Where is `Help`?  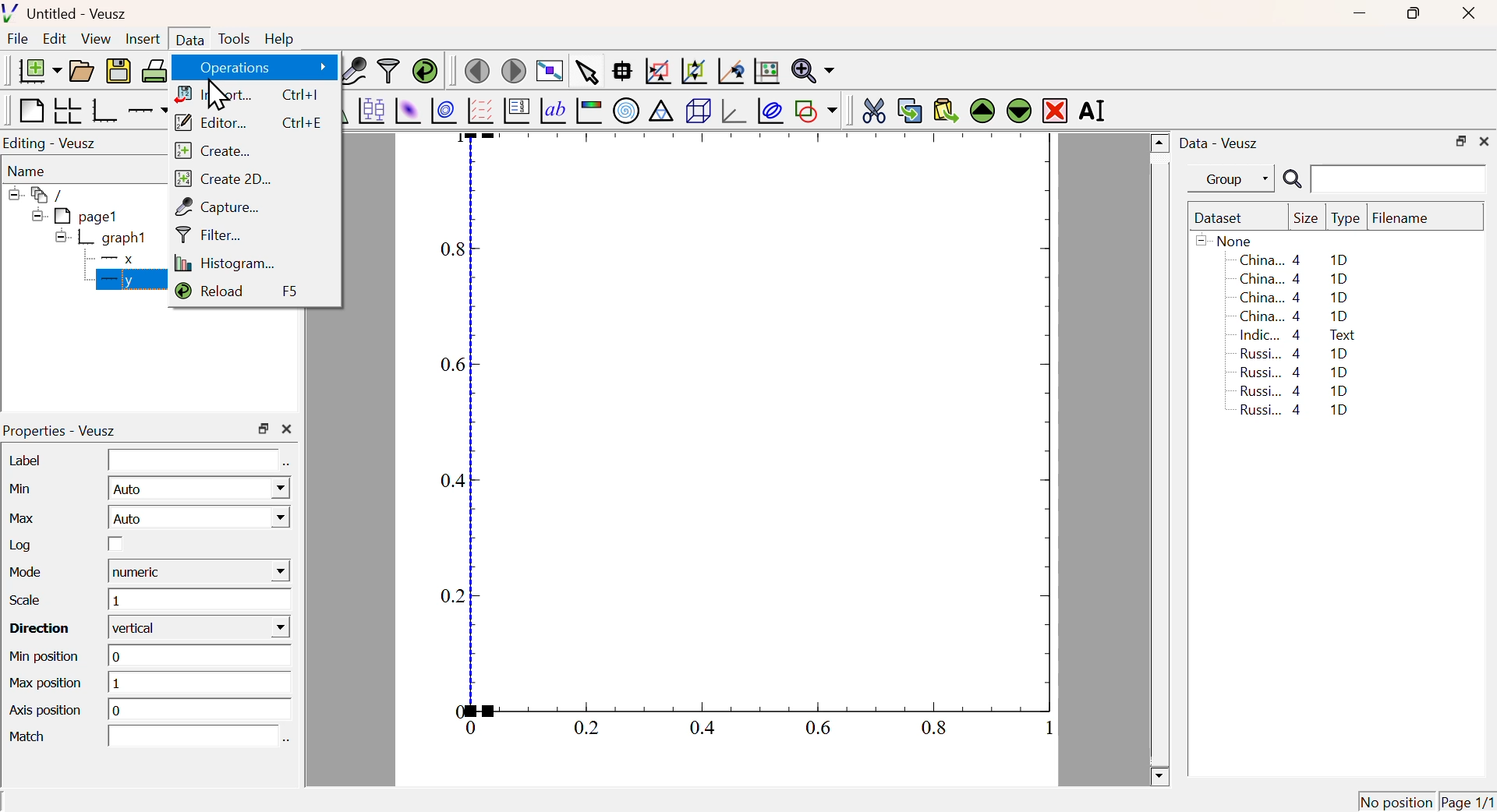 Help is located at coordinates (280, 39).